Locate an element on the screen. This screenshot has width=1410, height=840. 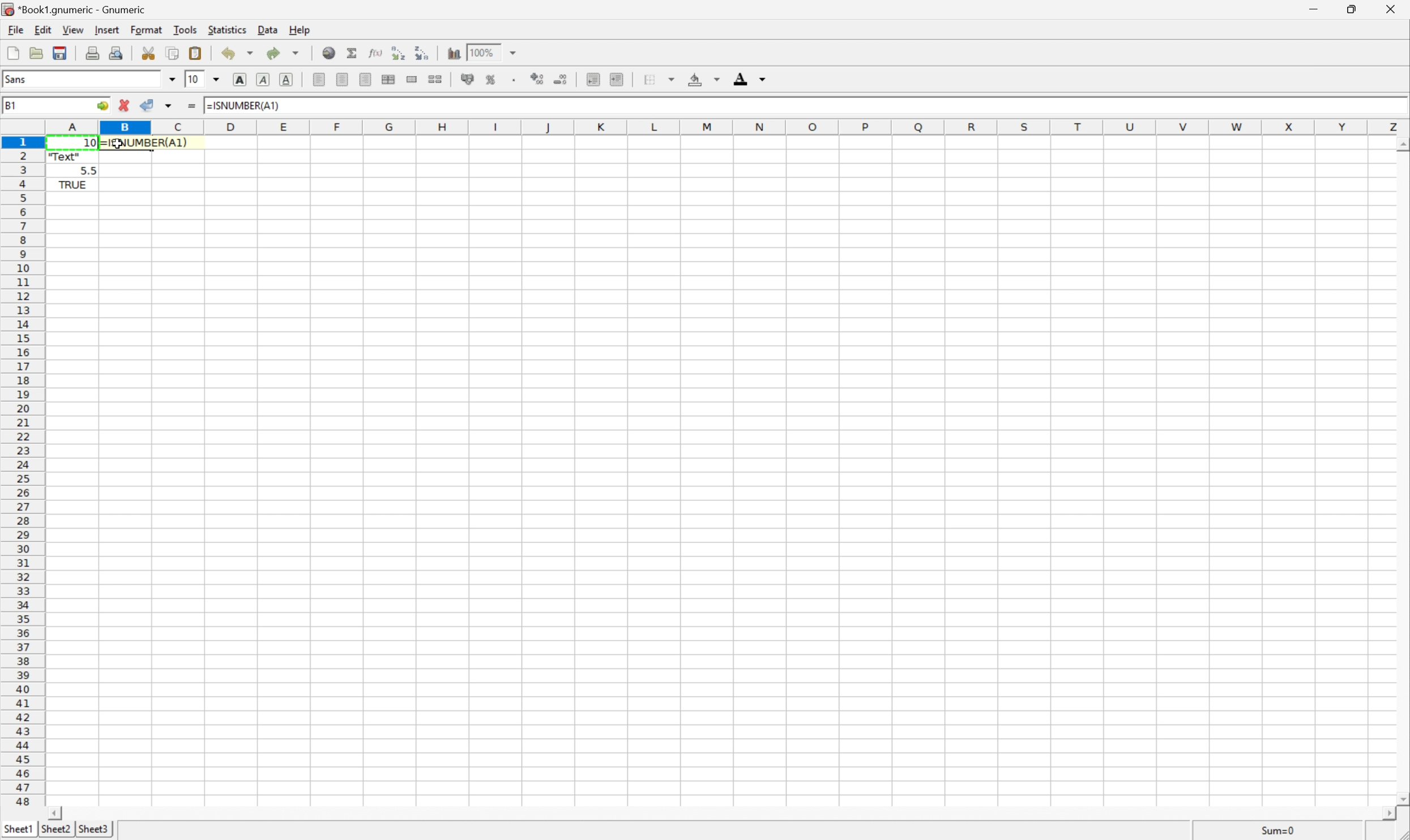
 Center horizontally across selection is located at coordinates (389, 80).